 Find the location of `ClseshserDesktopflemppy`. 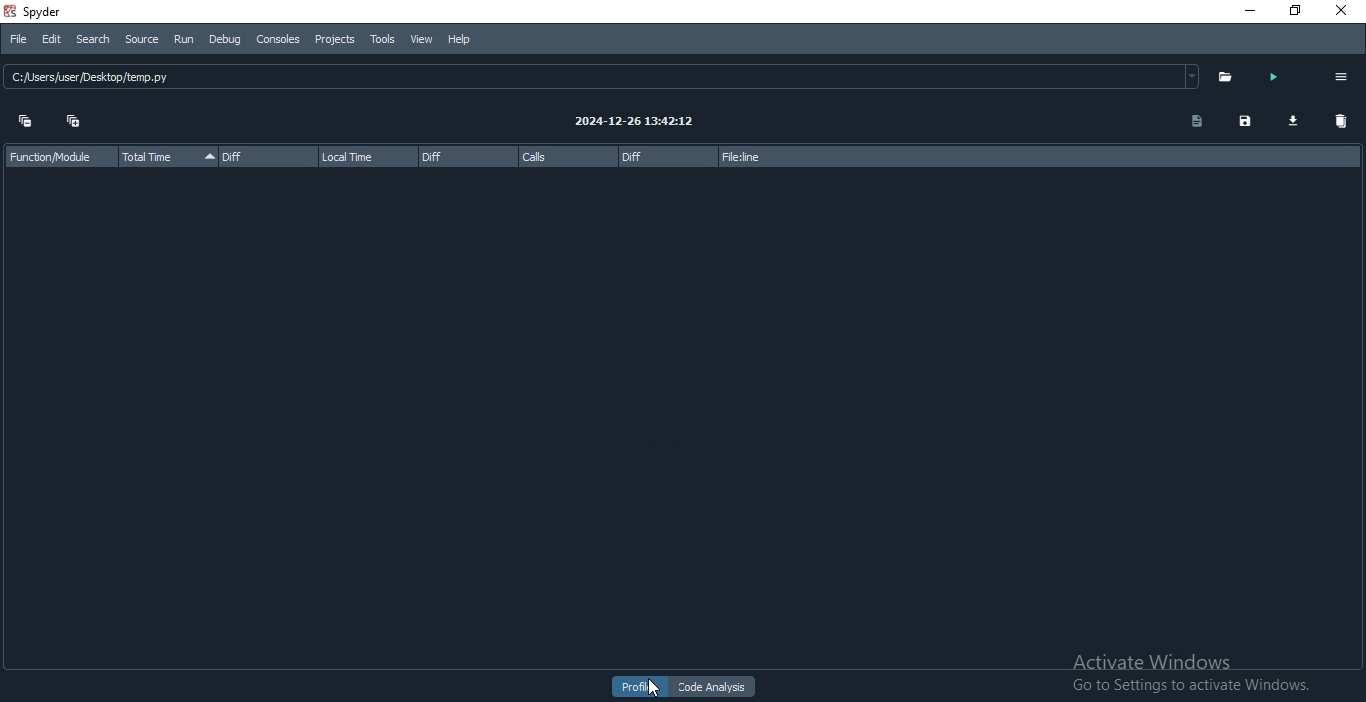

ClseshserDesktopflemppy is located at coordinates (605, 76).